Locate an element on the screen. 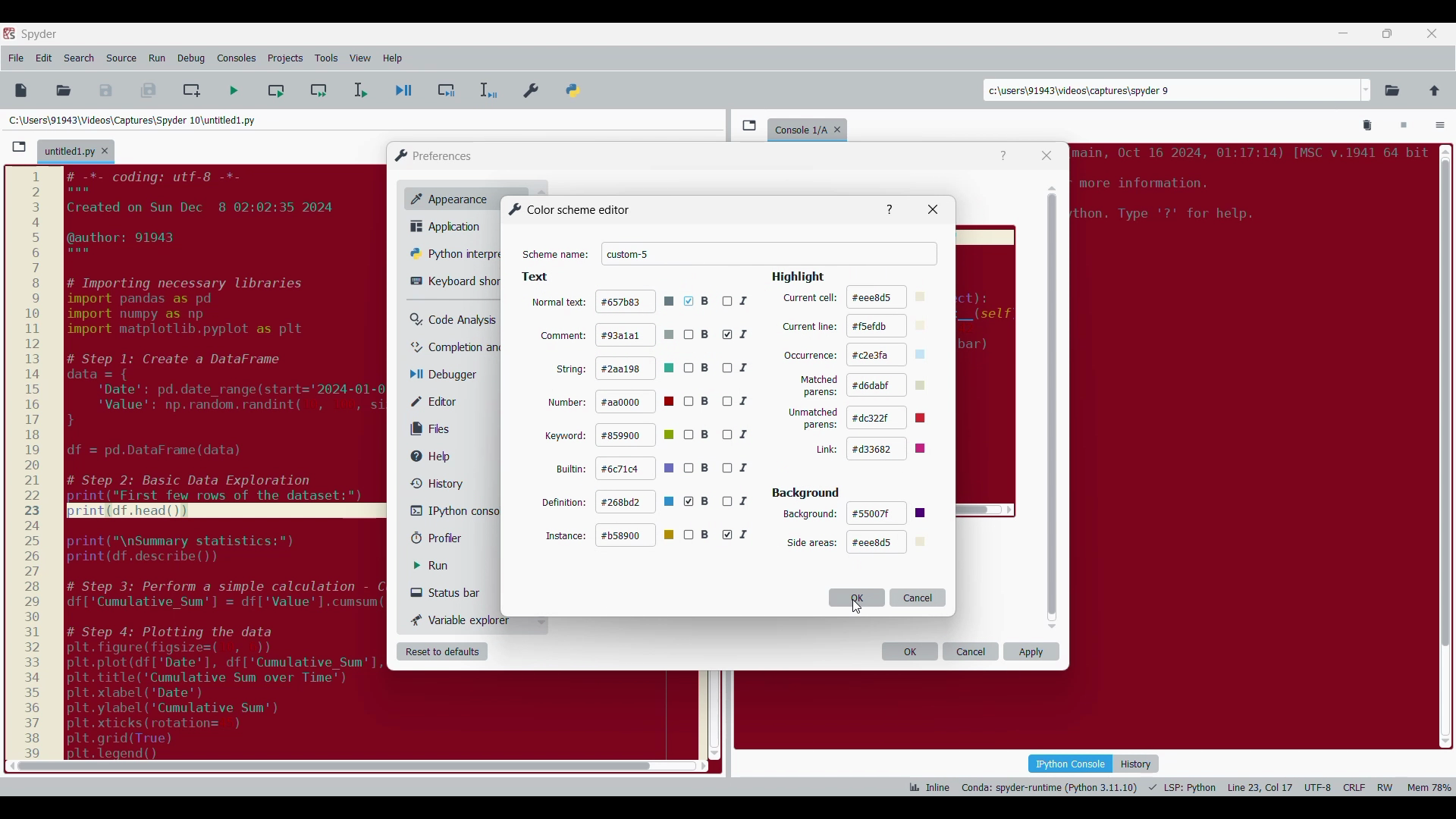 The image size is (1456, 819). Browse tabs is located at coordinates (19, 147).